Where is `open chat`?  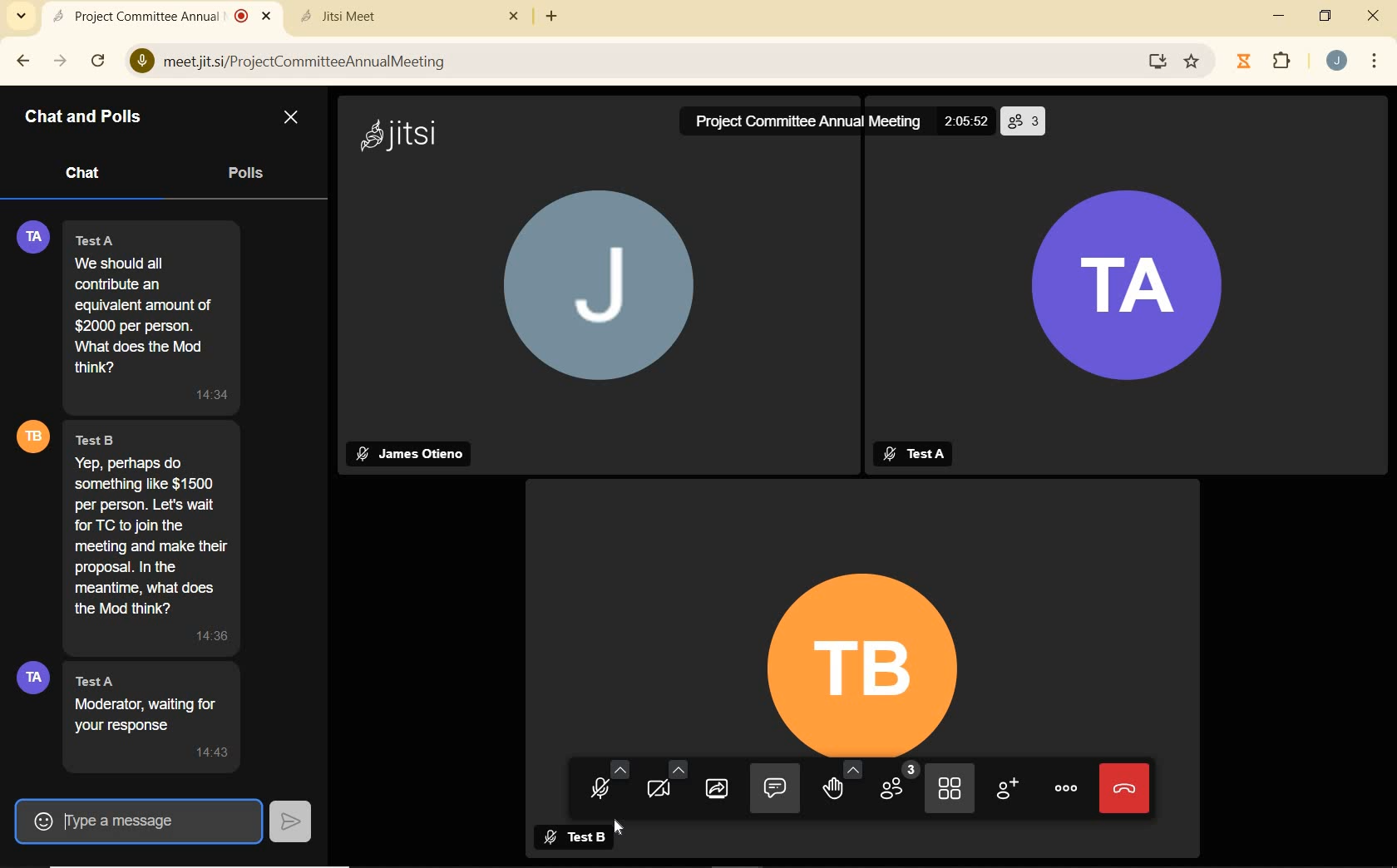
open chat is located at coordinates (780, 788).